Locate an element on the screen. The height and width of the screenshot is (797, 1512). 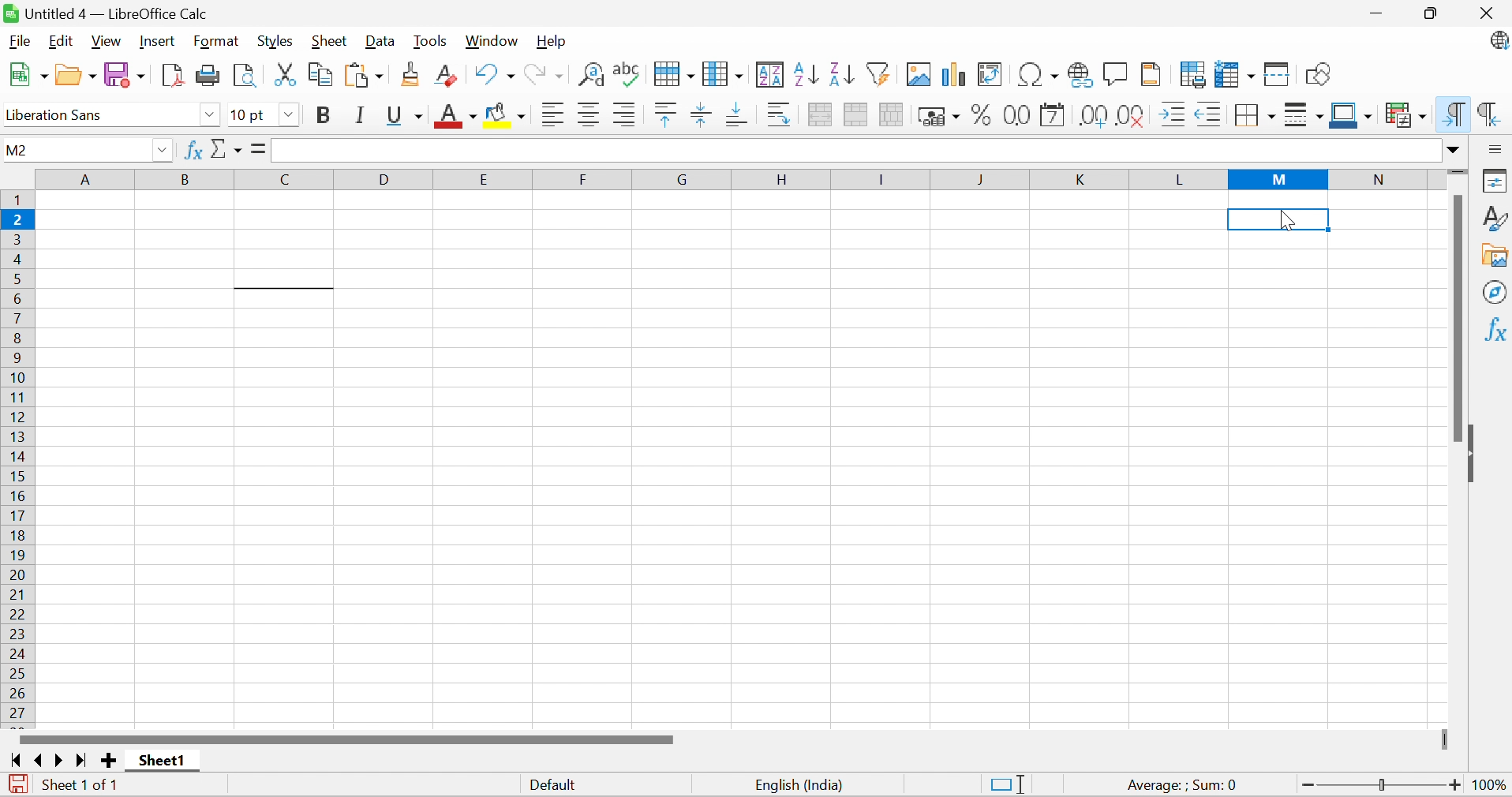
LibreOffice update available is located at coordinates (1499, 43).